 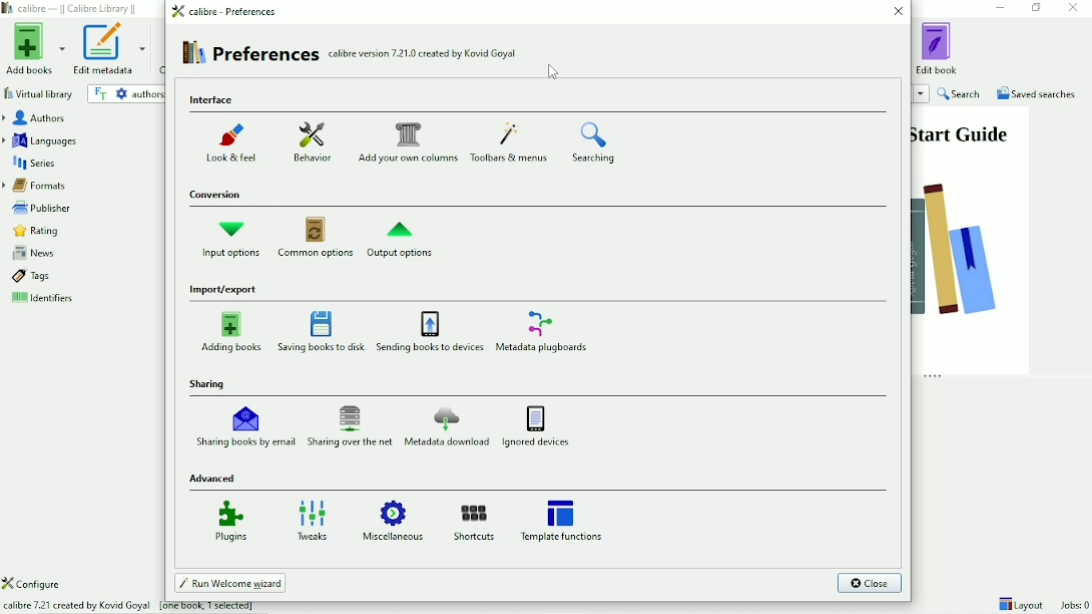 I want to click on Calibre Library, so click(x=72, y=9).